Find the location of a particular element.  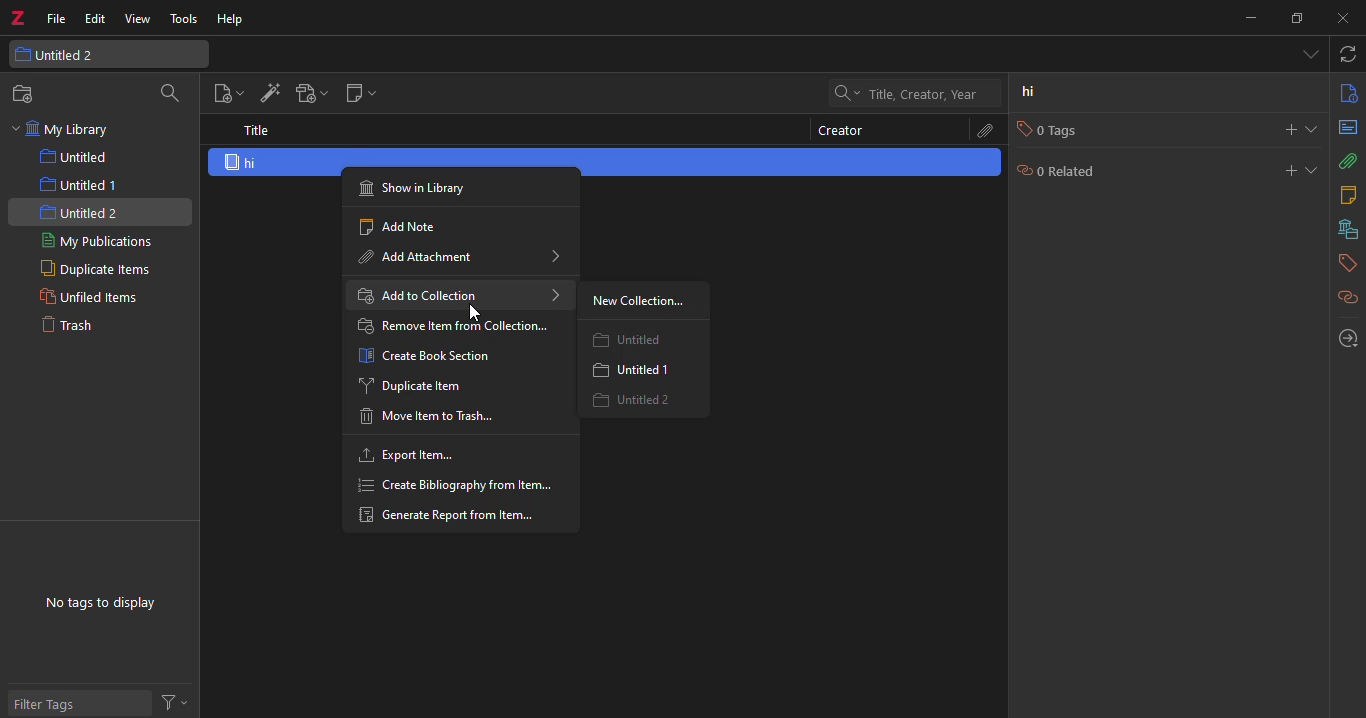

actions is located at coordinates (179, 701).